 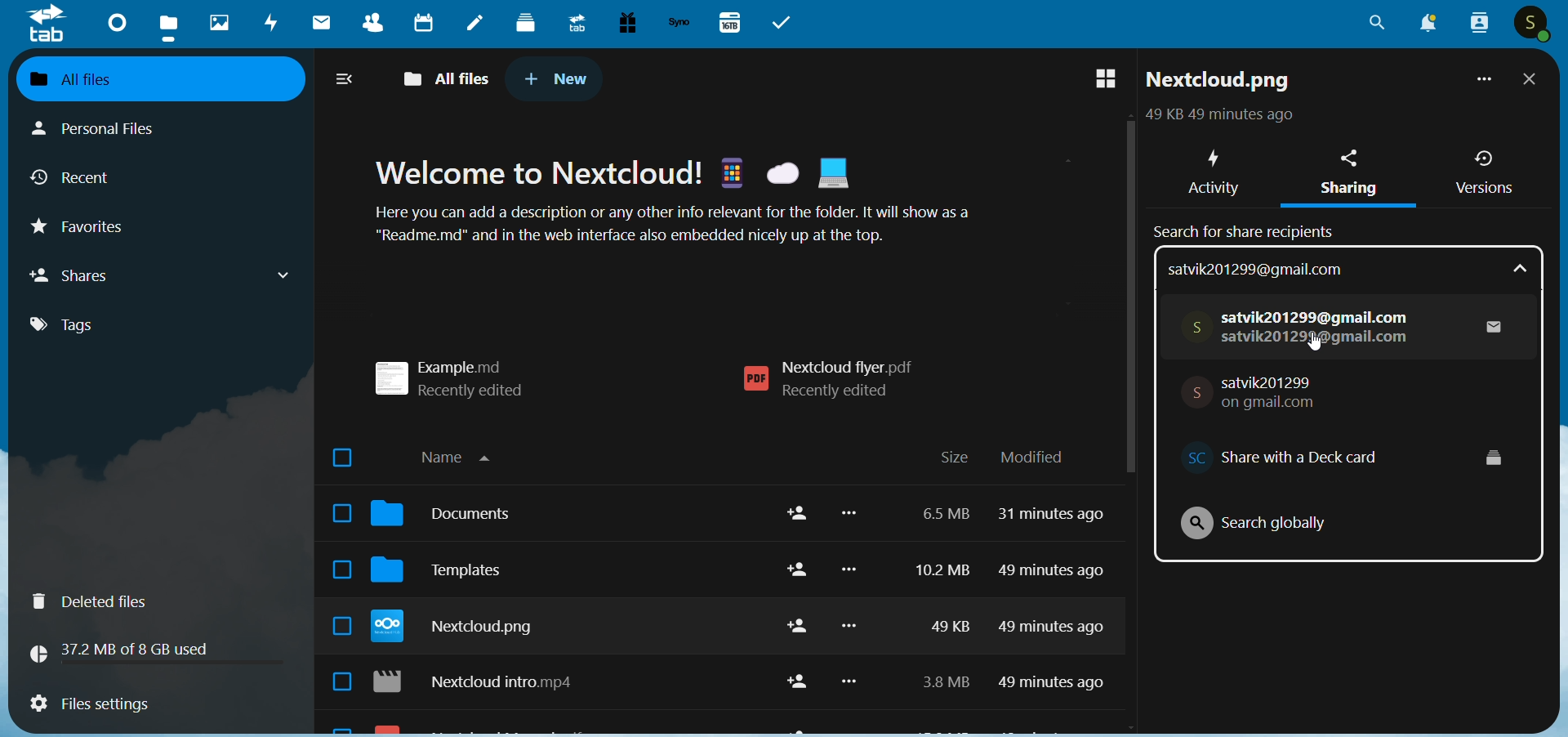 What do you see at coordinates (450, 76) in the screenshot?
I see `all files` at bounding box center [450, 76].